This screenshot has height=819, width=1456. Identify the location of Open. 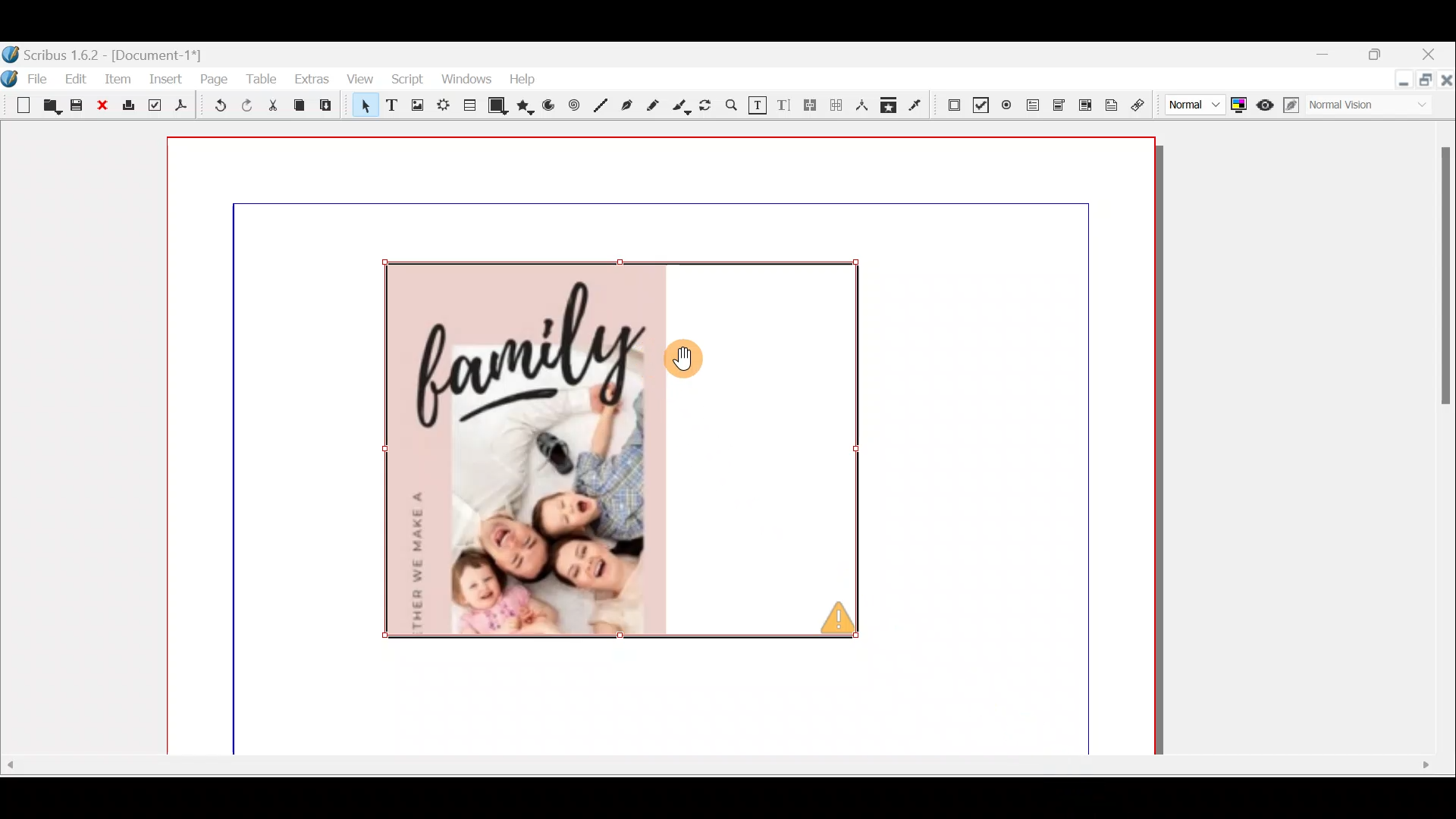
(52, 108).